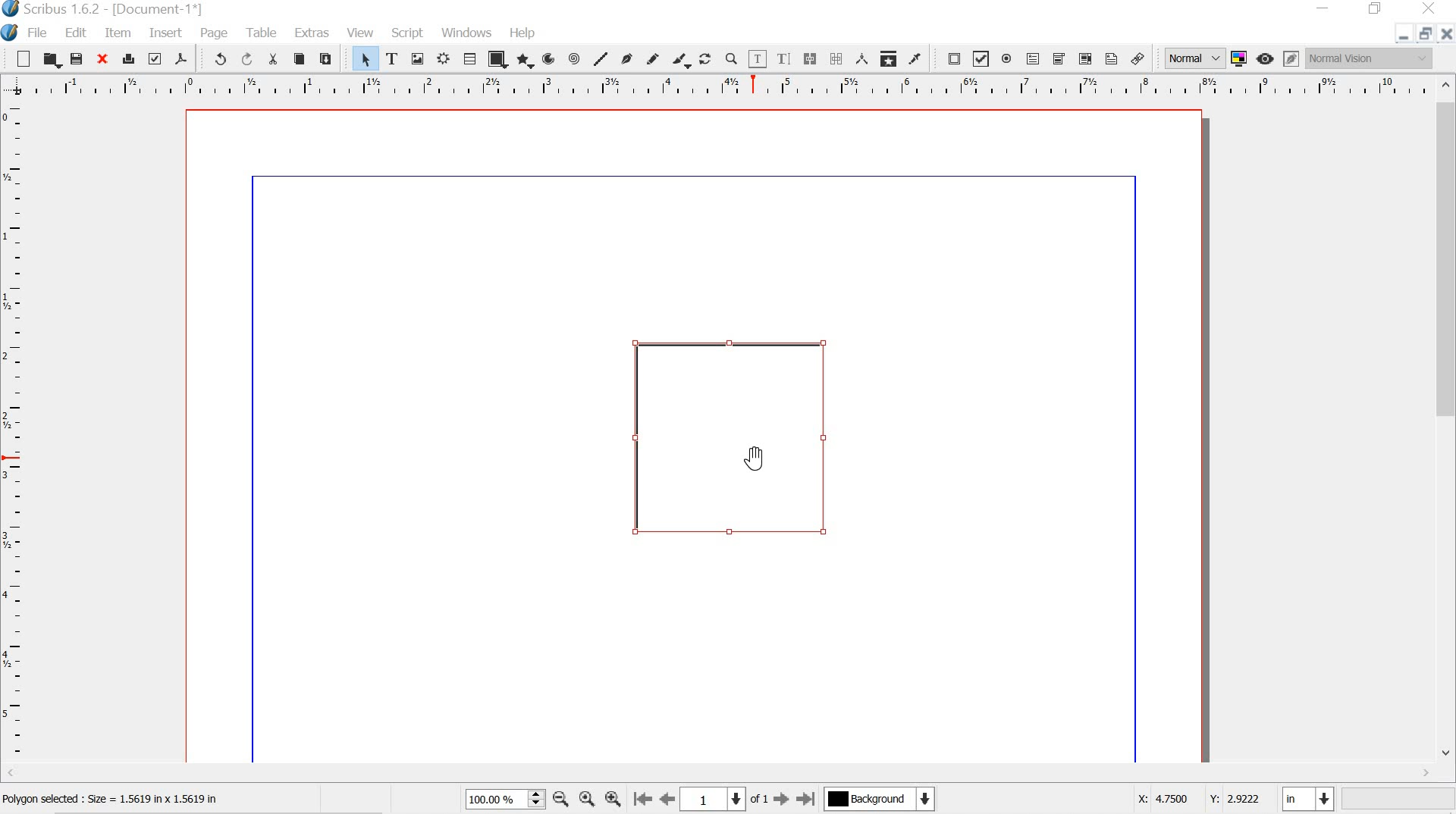  I want to click on link text frames, so click(811, 58).